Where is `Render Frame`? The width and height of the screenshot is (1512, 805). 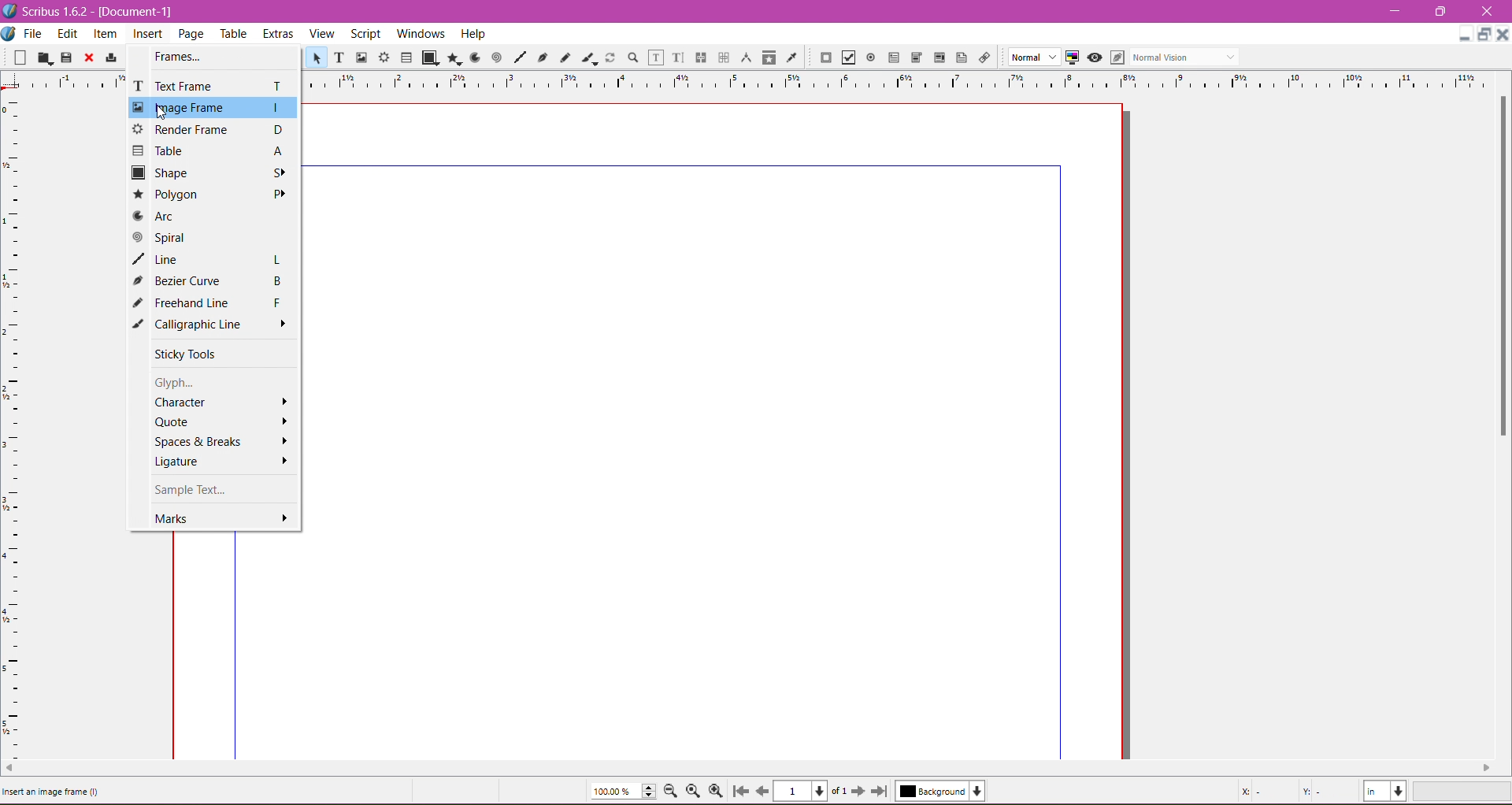
Render Frame is located at coordinates (209, 129).